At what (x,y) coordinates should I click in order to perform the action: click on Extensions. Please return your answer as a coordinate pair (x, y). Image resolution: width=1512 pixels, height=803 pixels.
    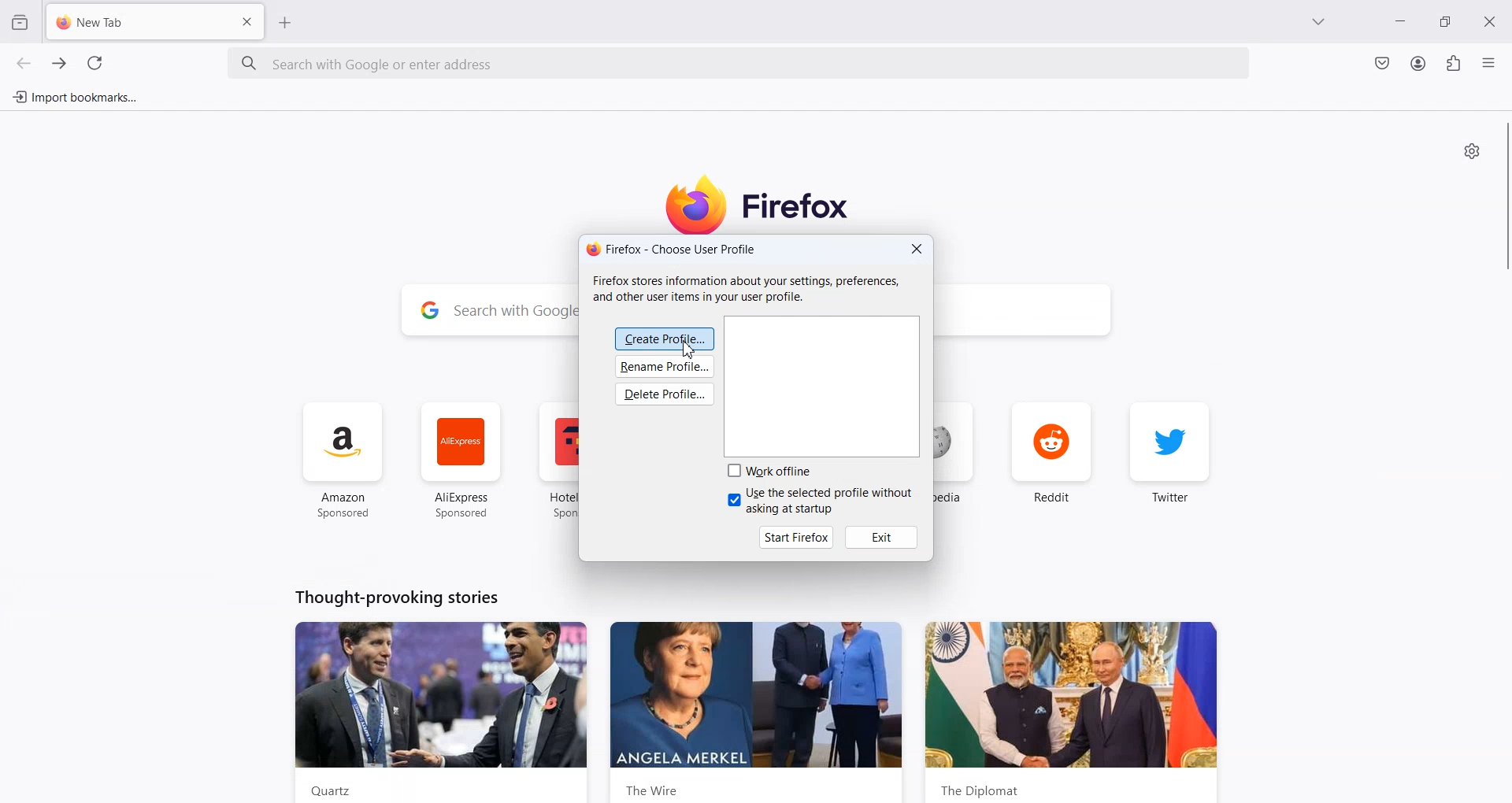
    Looking at the image, I should click on (1453, 64).